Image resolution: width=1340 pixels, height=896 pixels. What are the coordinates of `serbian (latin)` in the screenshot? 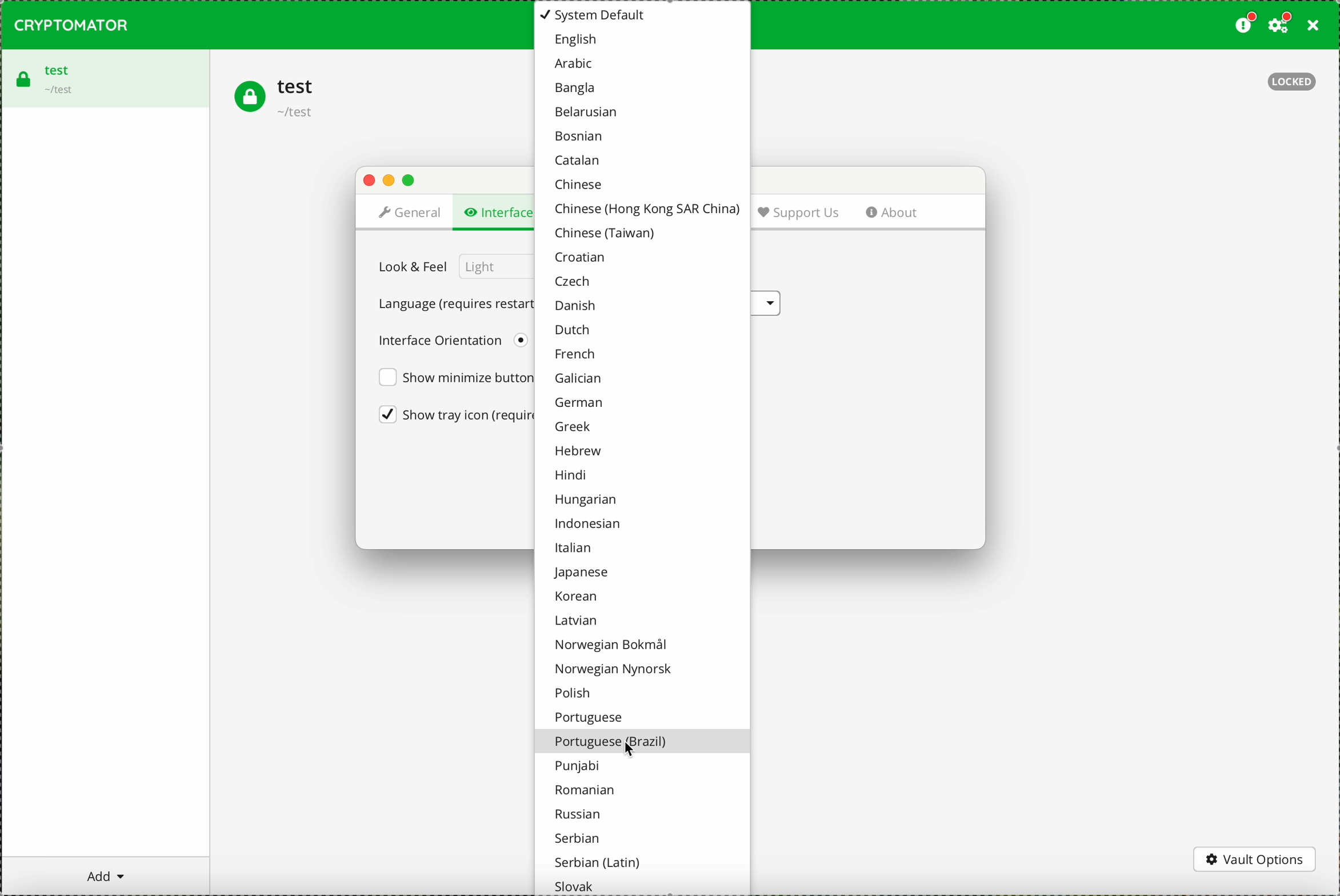 It's located at (598, 864).